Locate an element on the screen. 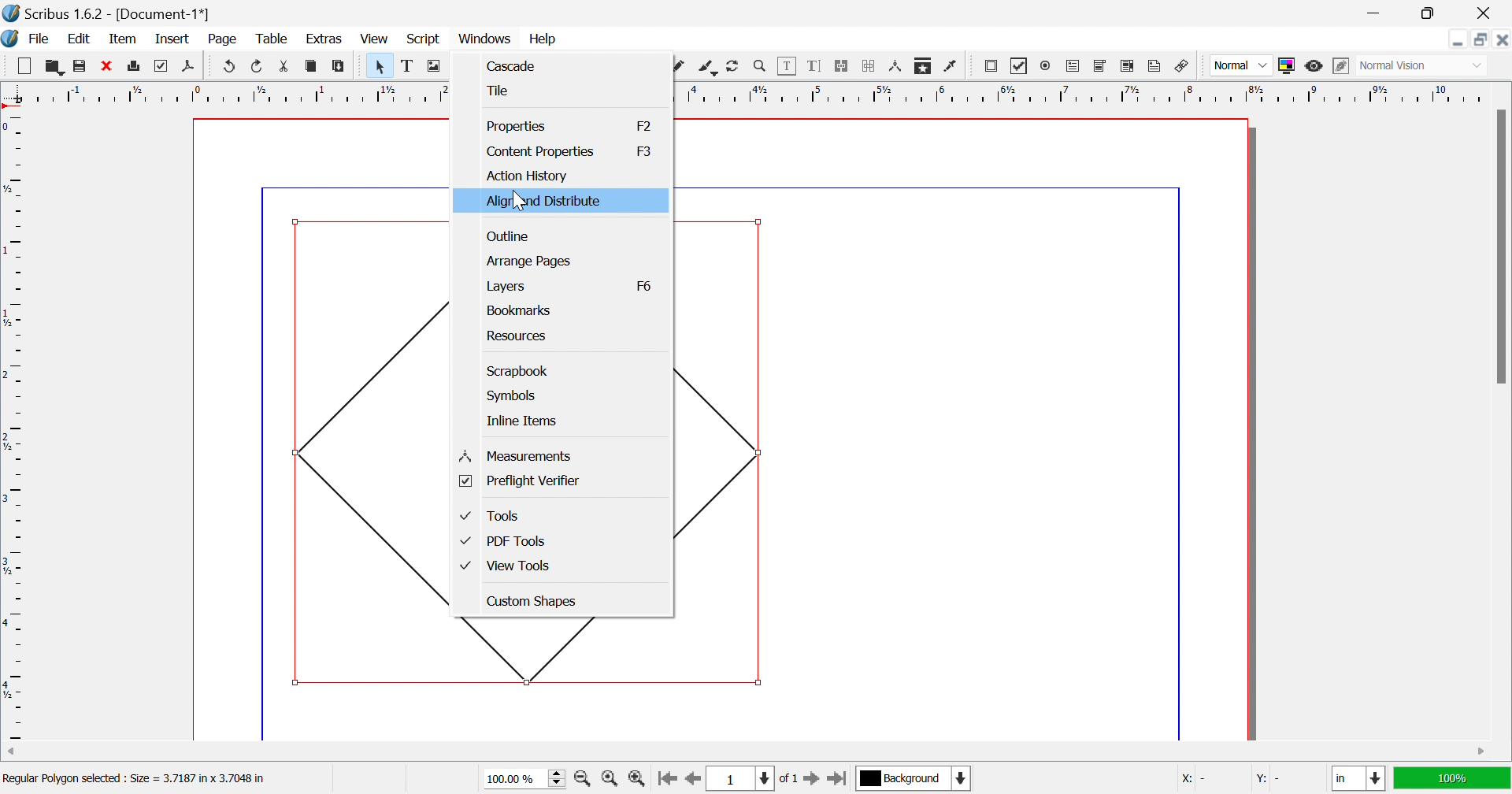  Help is located at coordinates (543, 39).